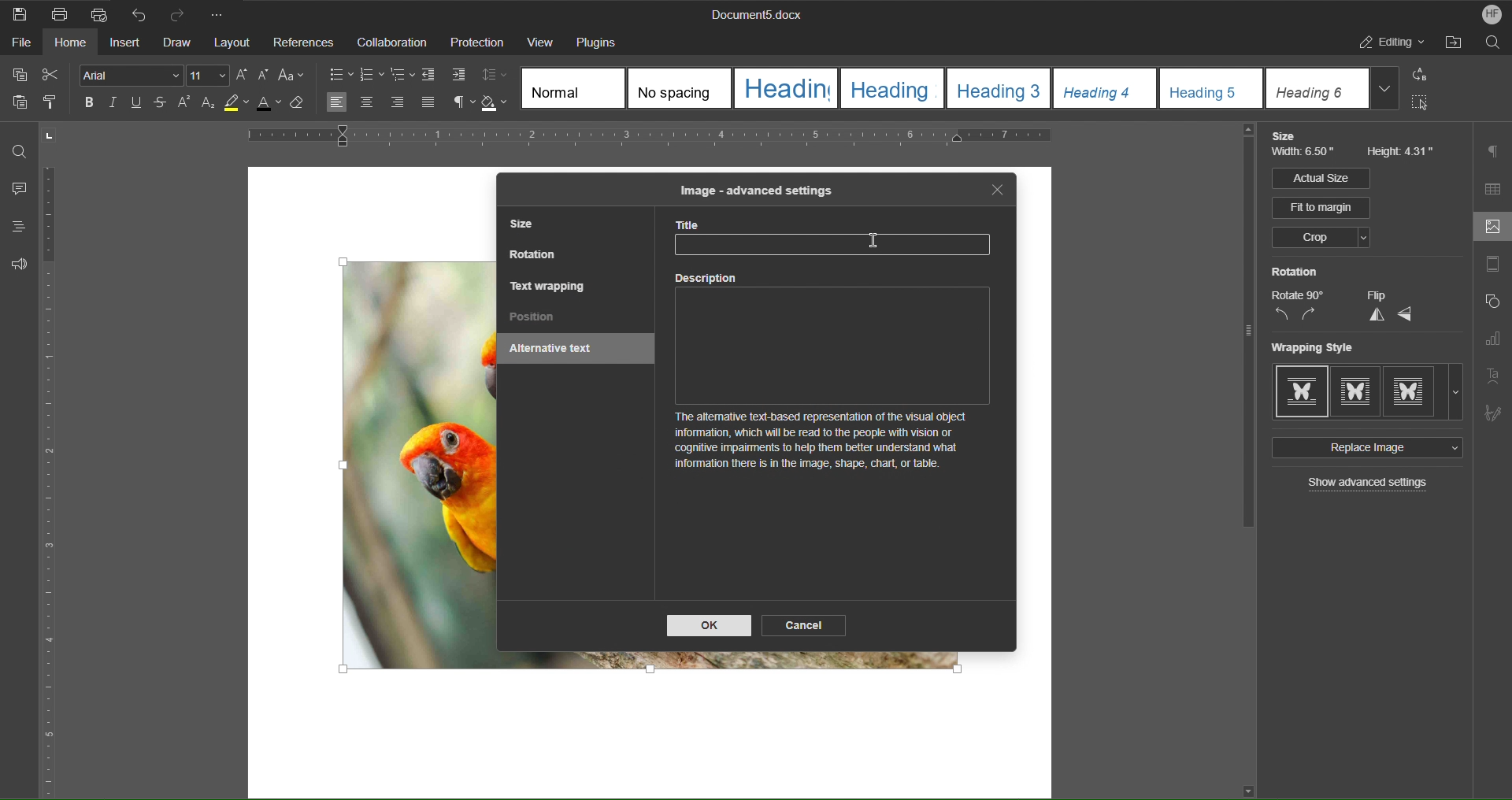 The image size is (1512, 800). I want to click on View, so click(540, 41).